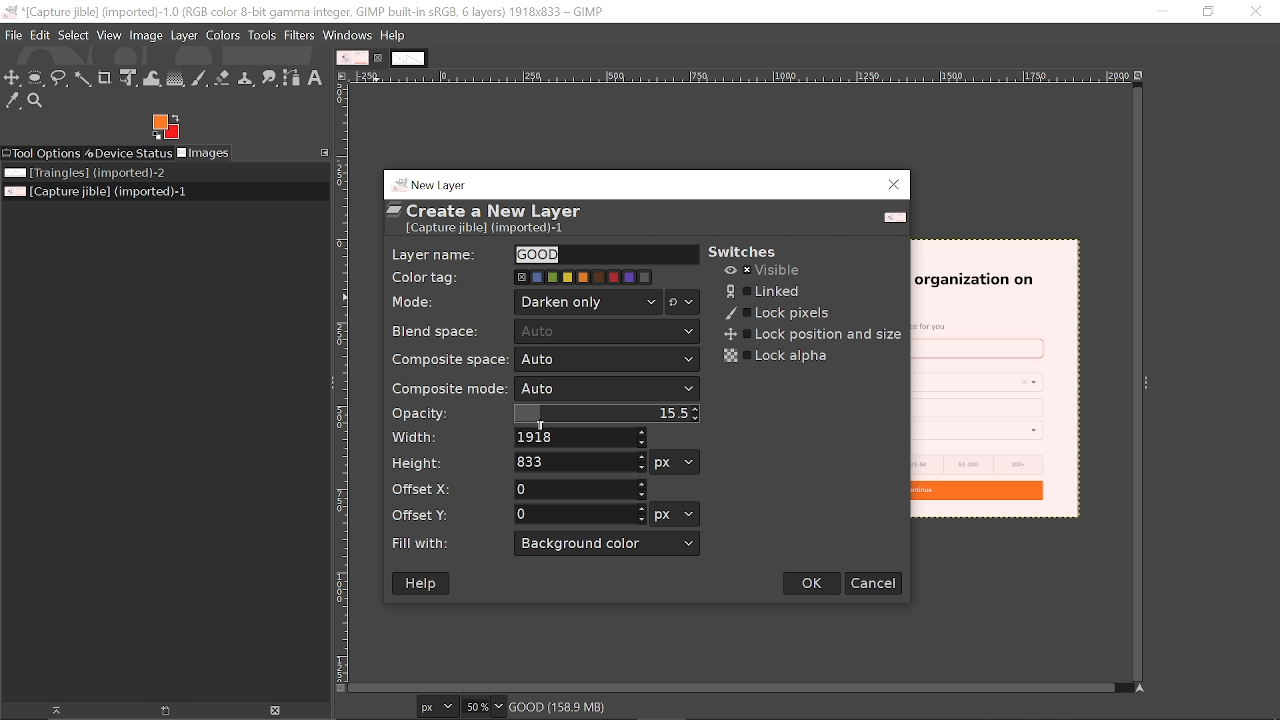 The height and width of the screenshot is (720, 1280). What do you see at coordinates (270, 78) in the screenshot?
I see `Smudge tool` at bounding box center [270, 78].